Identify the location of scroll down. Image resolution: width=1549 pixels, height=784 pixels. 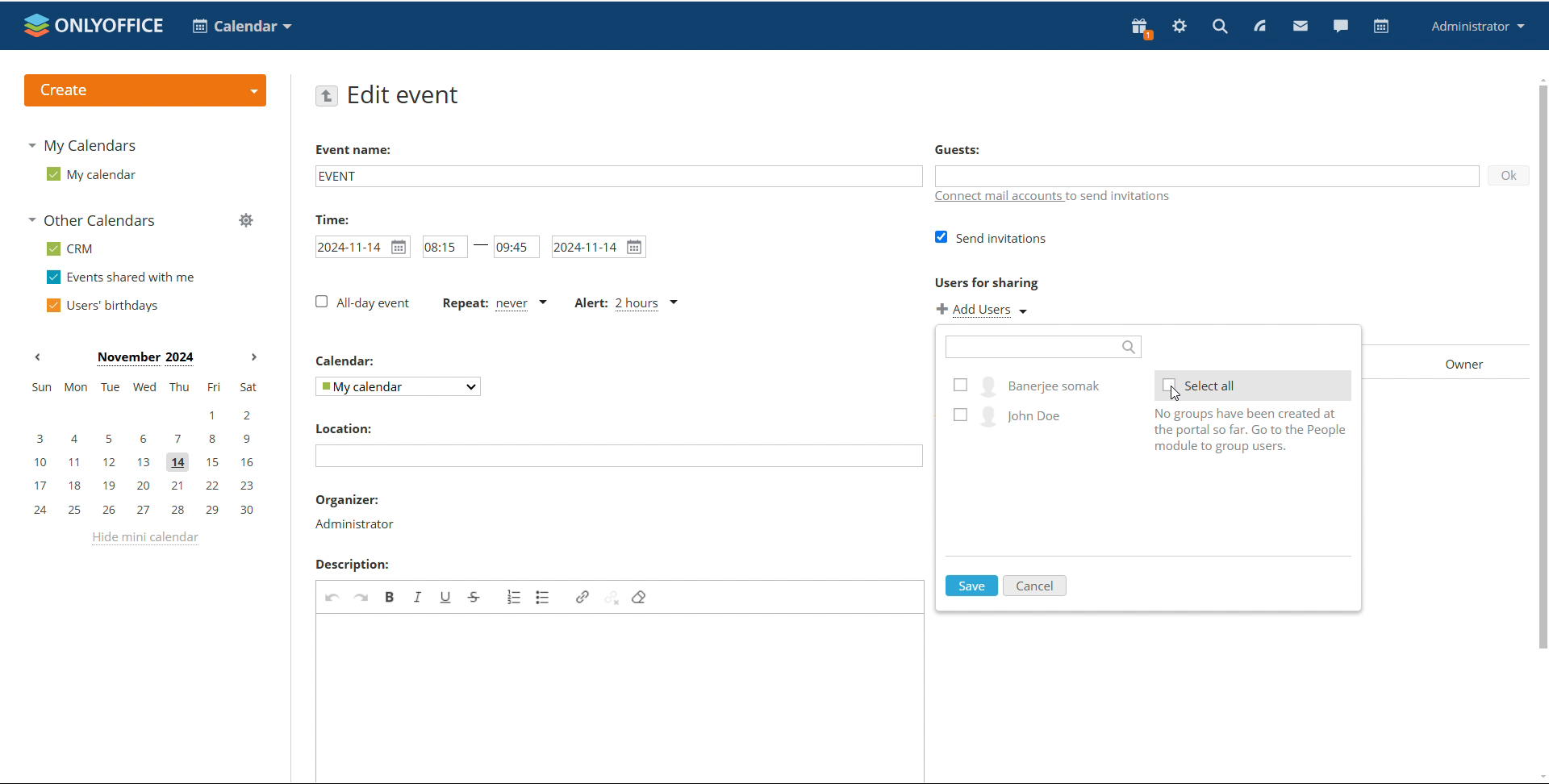
(1539, 775).